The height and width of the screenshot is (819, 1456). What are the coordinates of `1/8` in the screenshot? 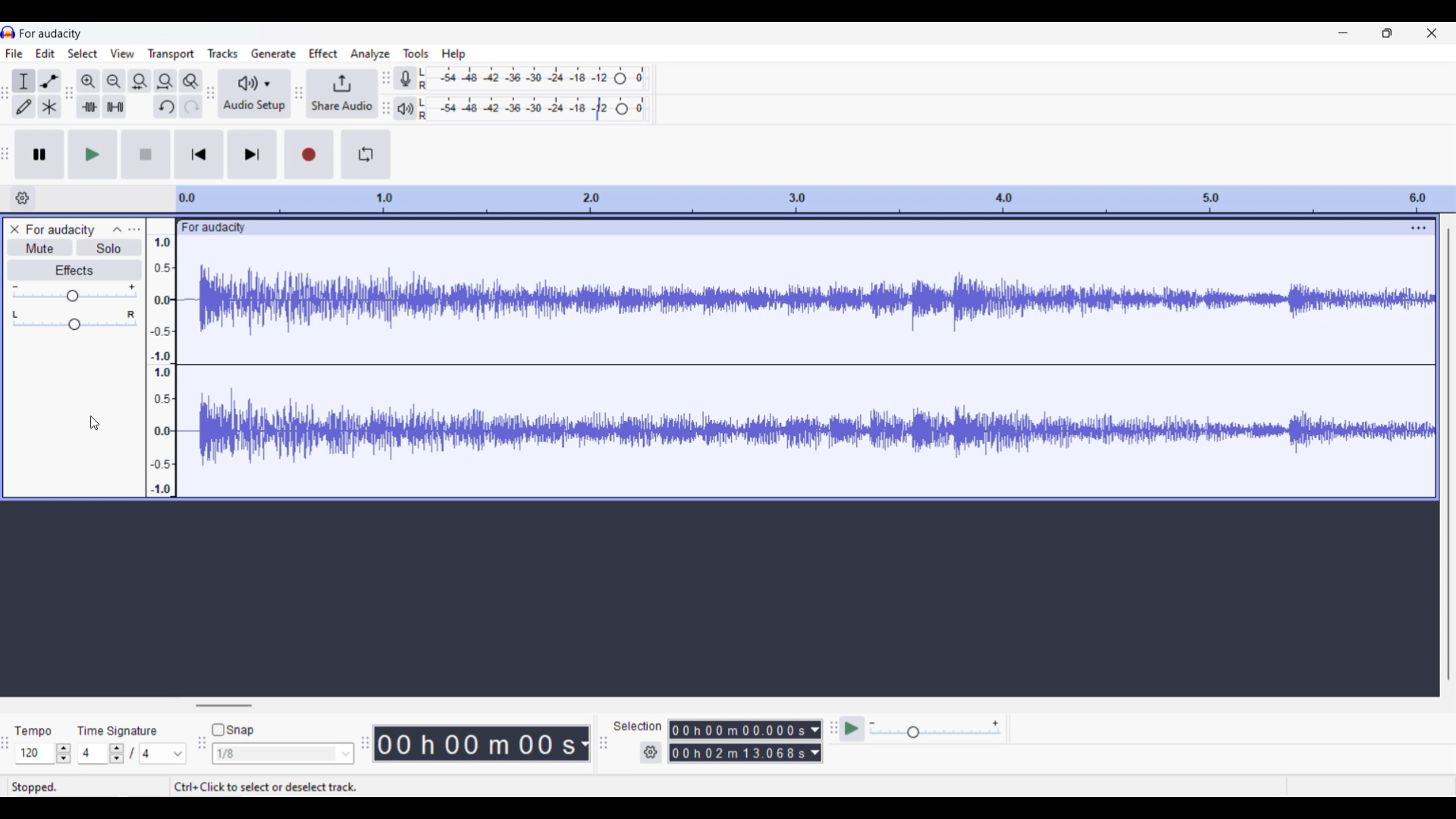 It's located at (284, 753).